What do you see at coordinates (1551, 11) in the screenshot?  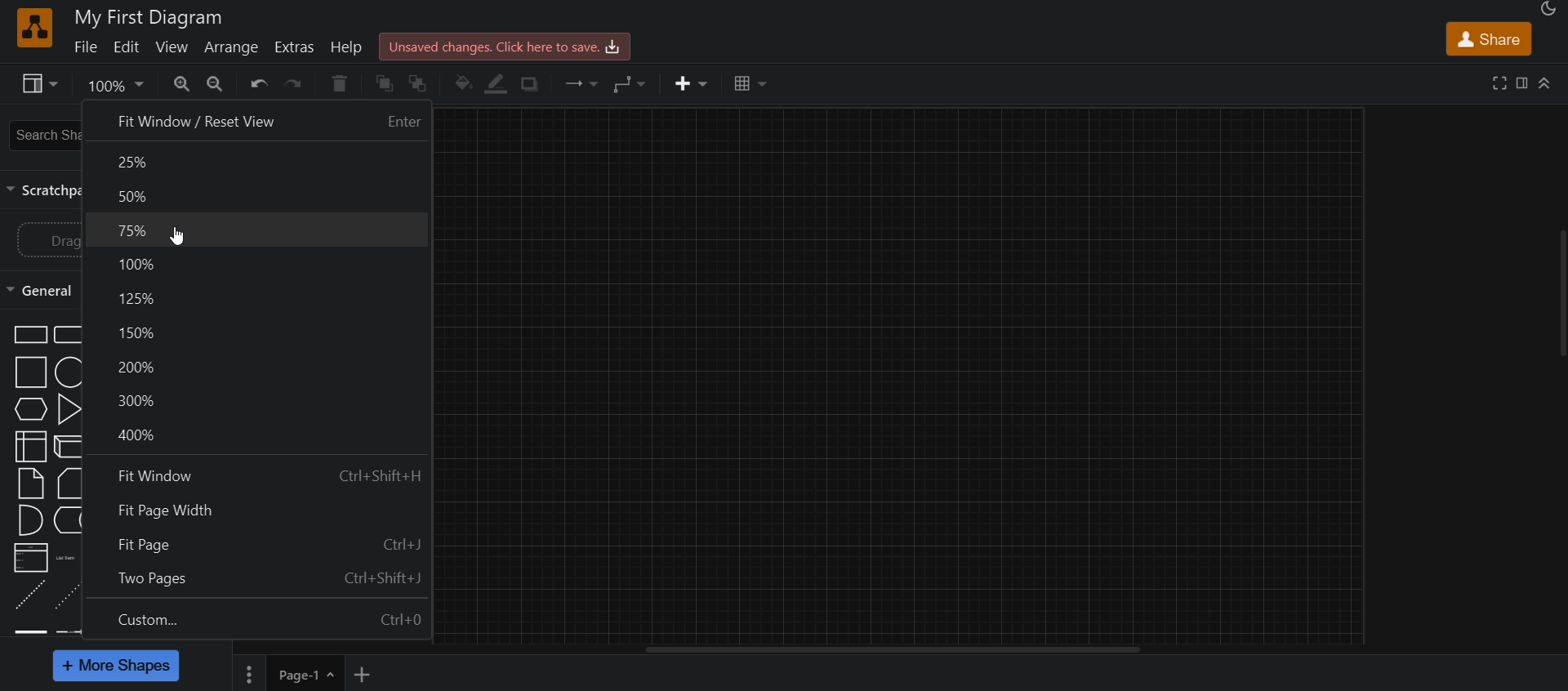 I see `appearance` at bounding box center [1551, 11].